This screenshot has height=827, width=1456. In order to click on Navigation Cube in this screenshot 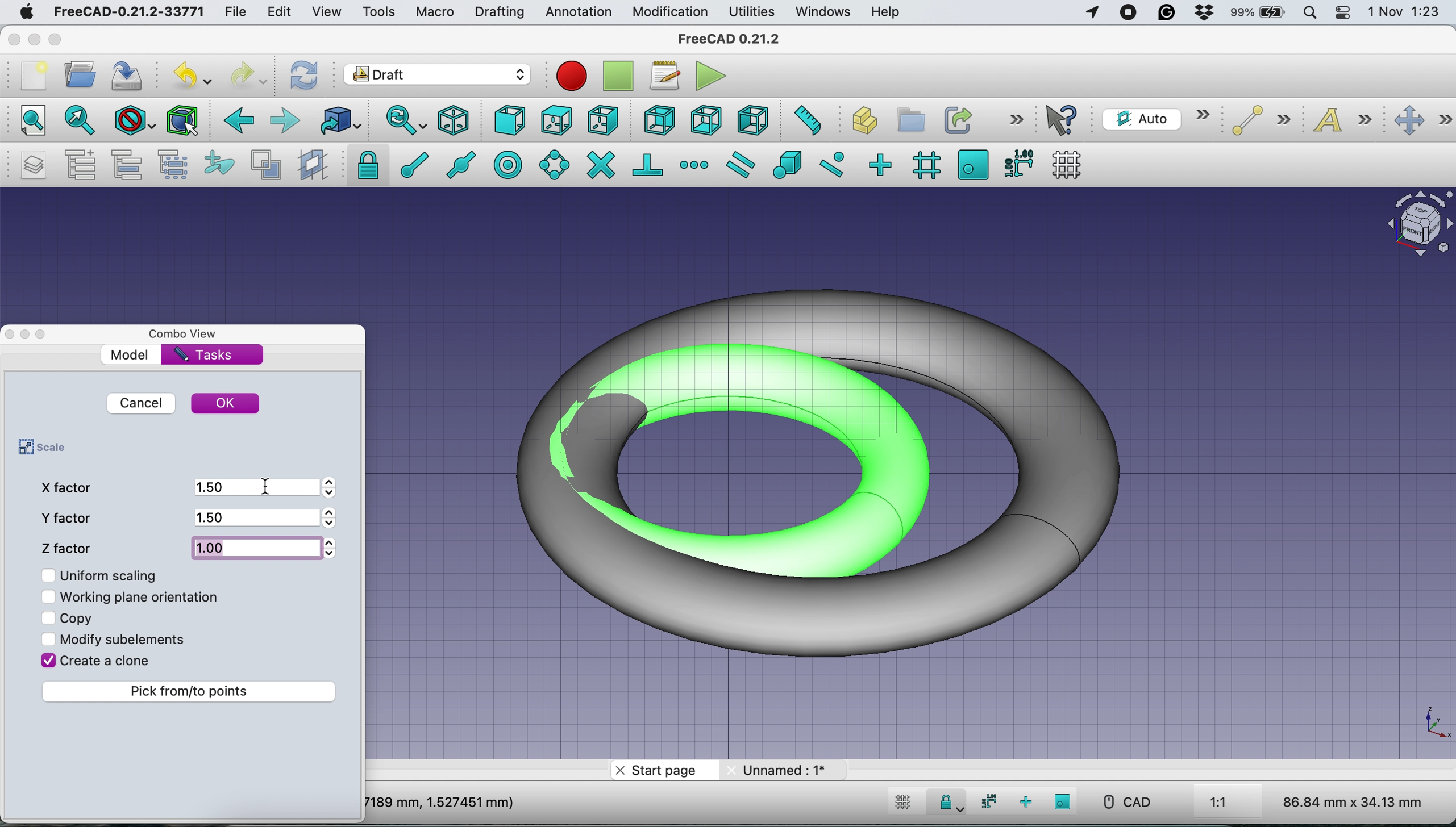, I will do `click(1414, 224)`.